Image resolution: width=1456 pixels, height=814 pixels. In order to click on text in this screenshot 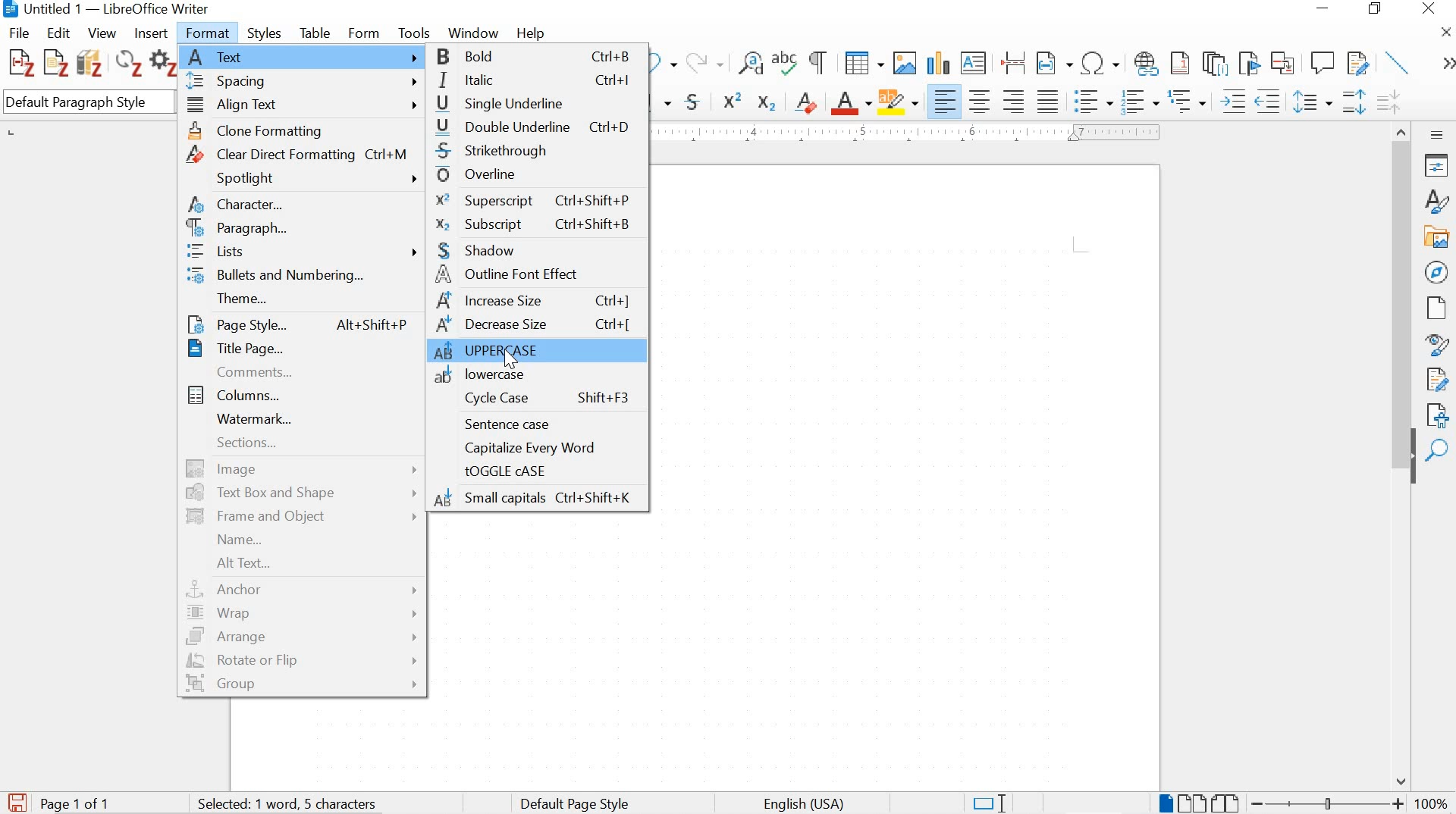, I will do `click(303, 56)`.